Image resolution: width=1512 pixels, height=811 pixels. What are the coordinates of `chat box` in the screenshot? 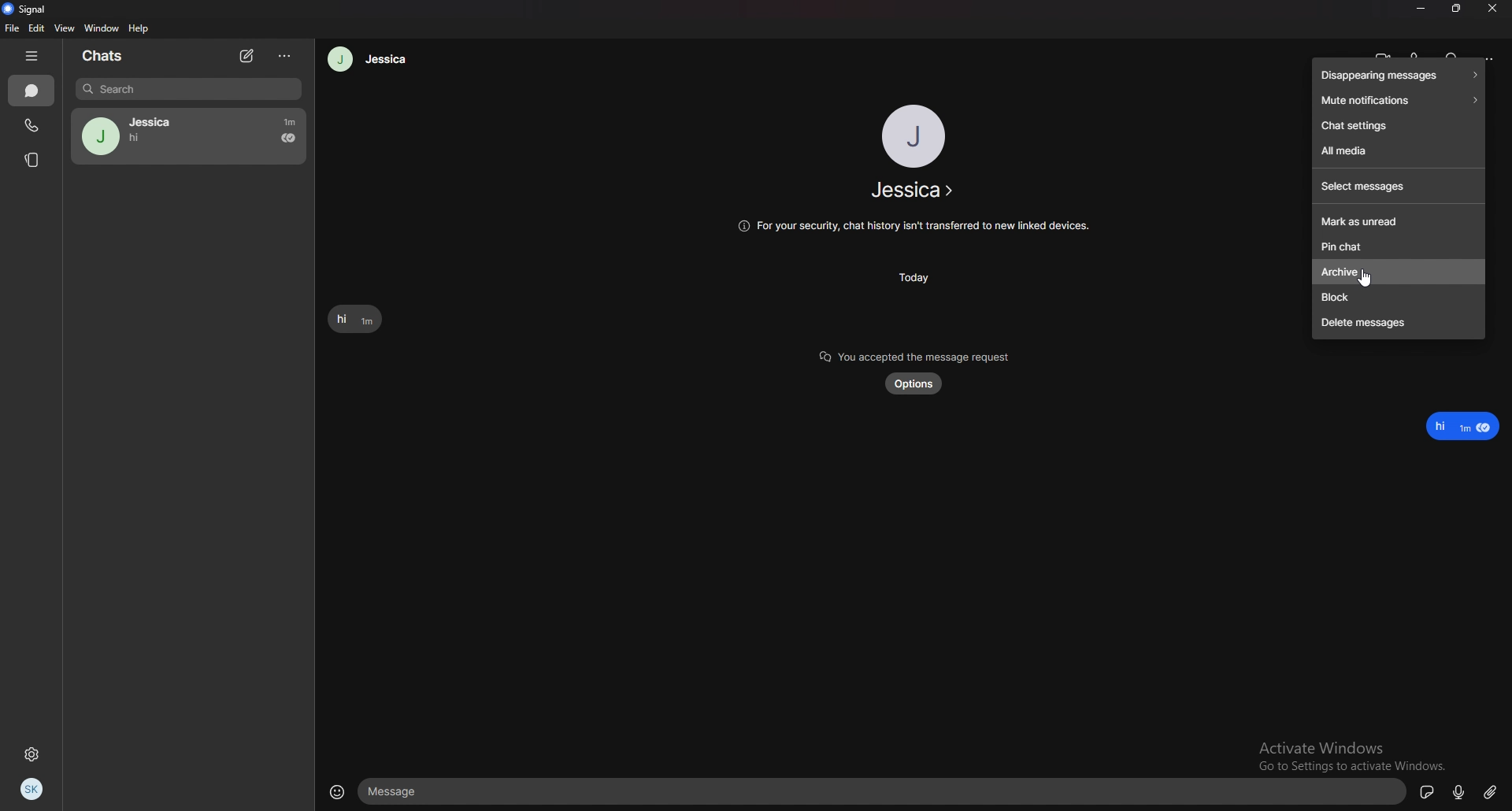 It's located at (884, 790).